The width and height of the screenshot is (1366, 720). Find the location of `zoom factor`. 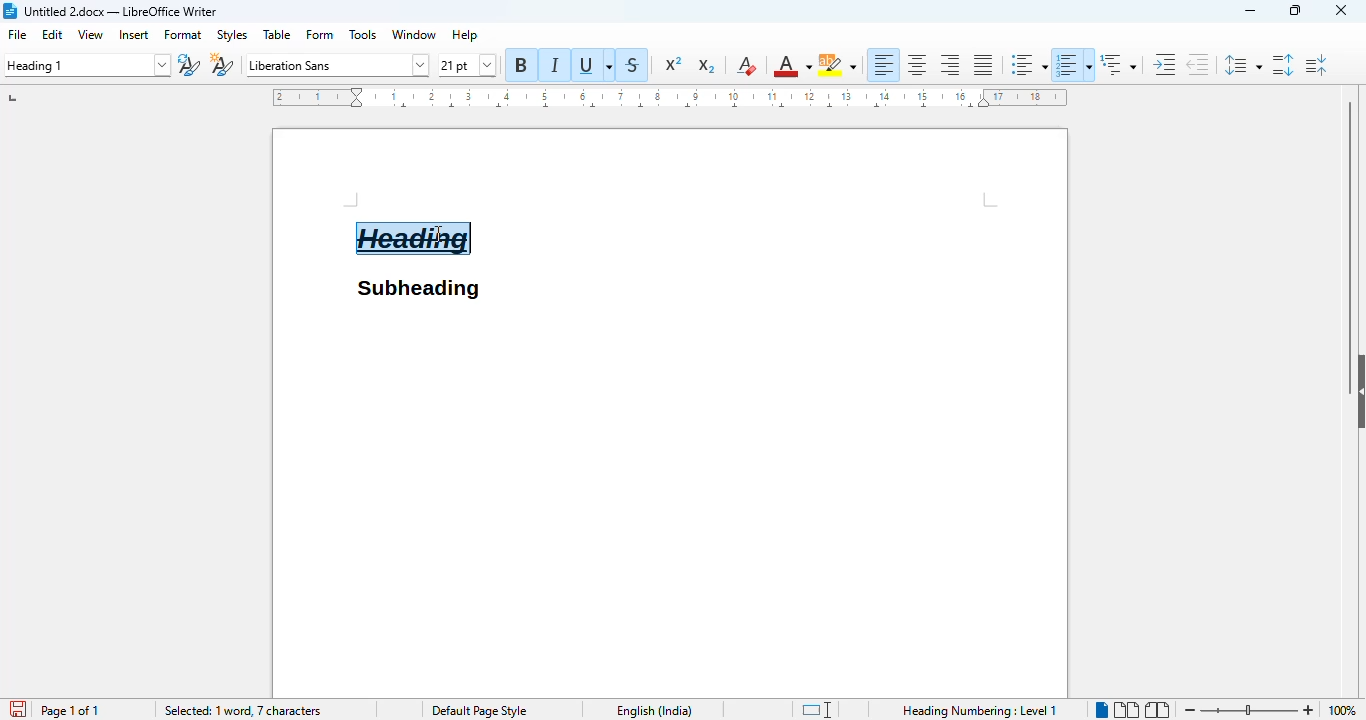

zoom factor is located at coordinates (1344, 710).